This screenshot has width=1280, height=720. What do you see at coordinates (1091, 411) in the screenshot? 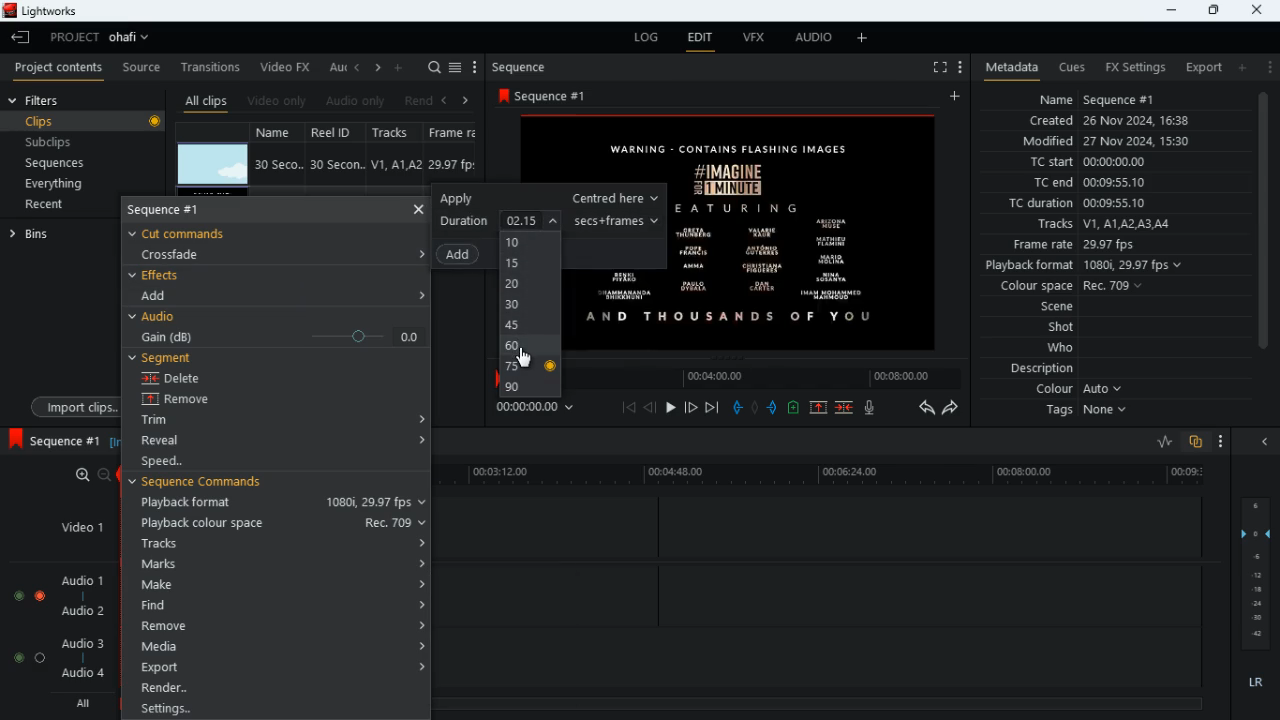
I see `tags` at bounding box center [1091, 411].